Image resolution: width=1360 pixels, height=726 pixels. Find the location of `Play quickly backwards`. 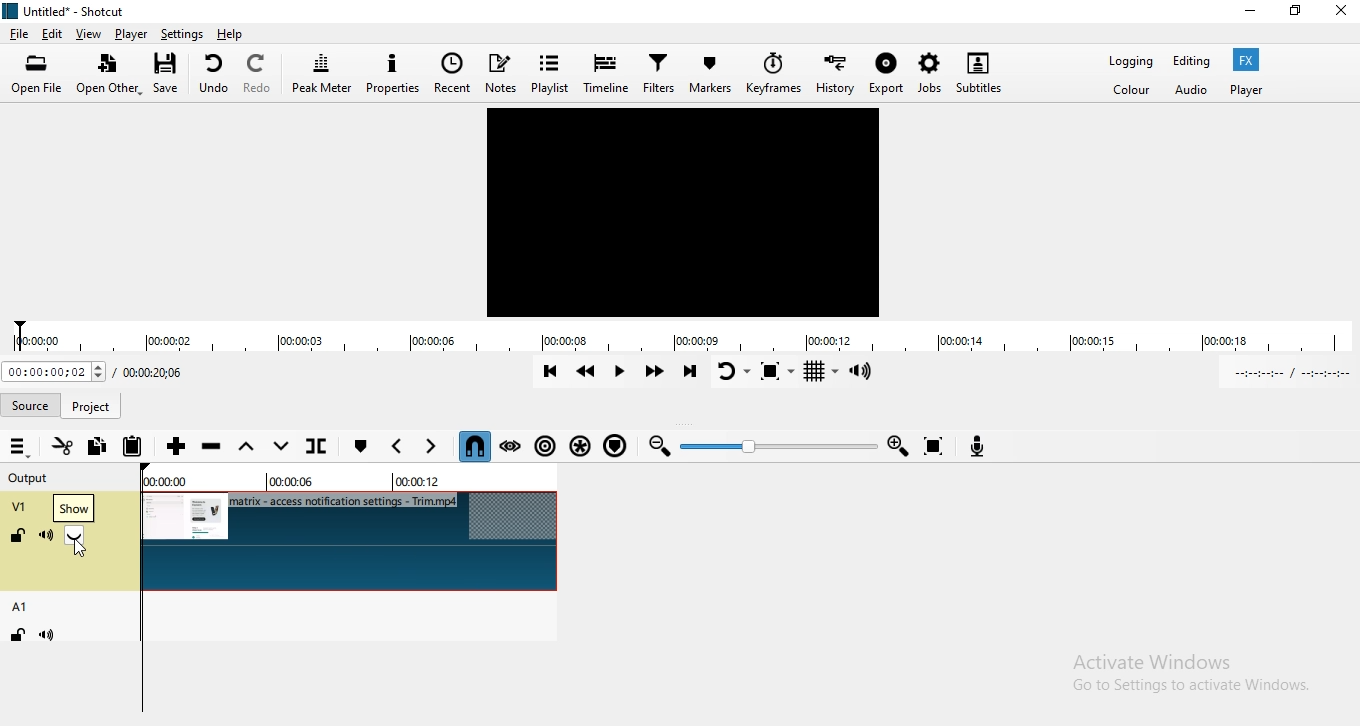

Play quickly backwards is located at coordinates (586, 375).